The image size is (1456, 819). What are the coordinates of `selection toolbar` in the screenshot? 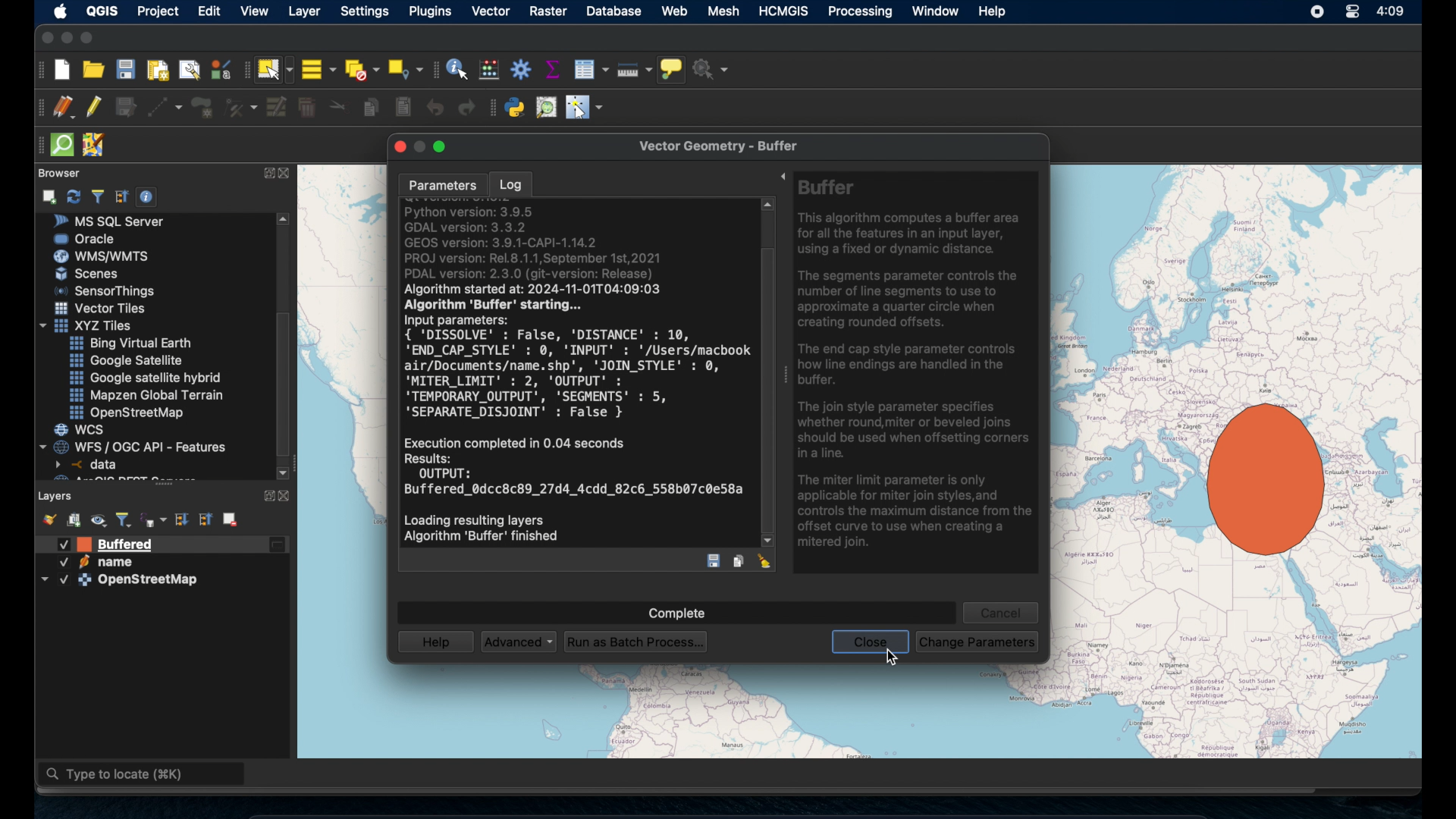 It's located at (243, 72).